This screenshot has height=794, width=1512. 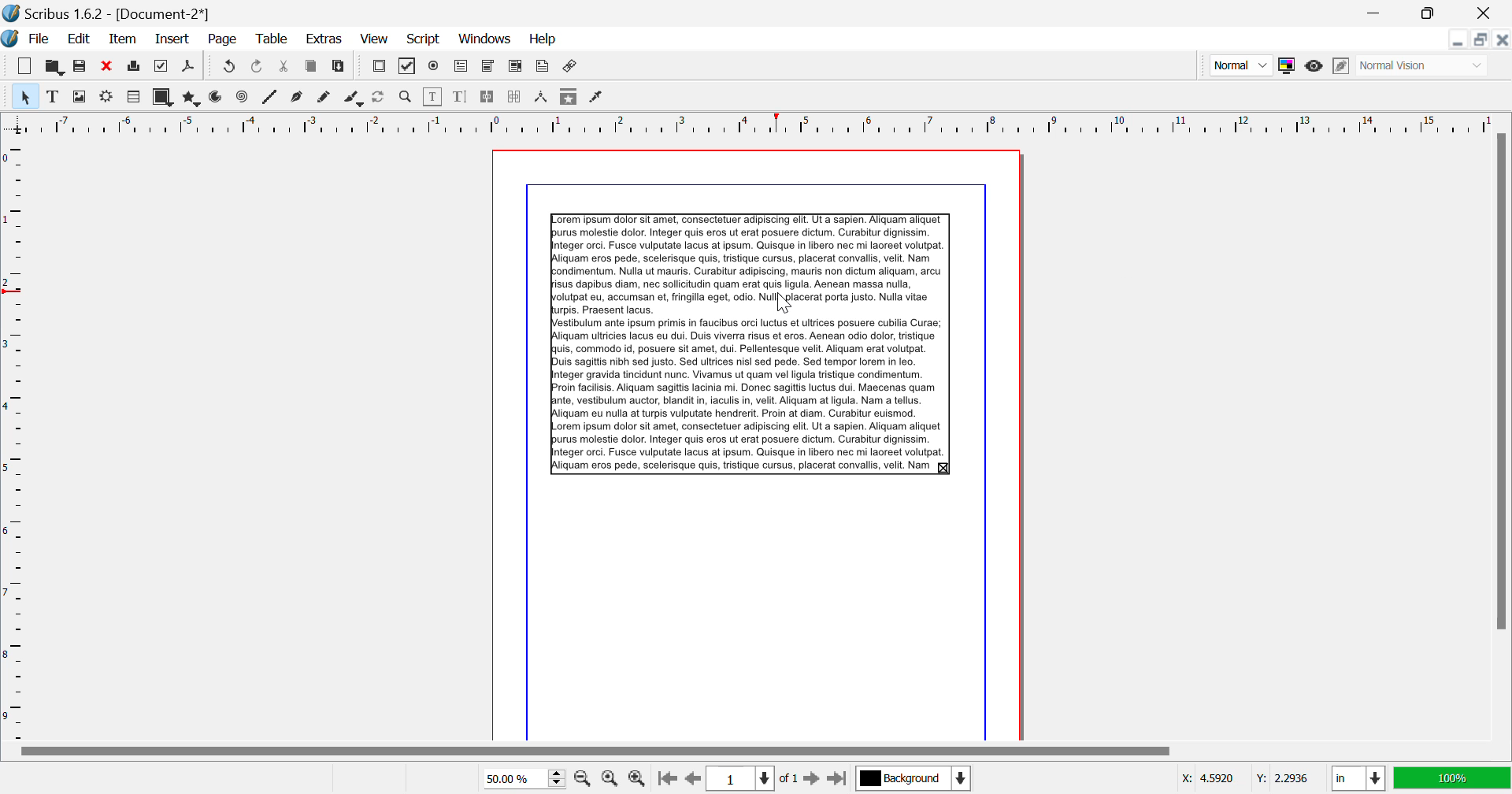 What do you see at coordinates (54, 65) in the screenshot?
I see `Open` at bounding box center [54, 65].